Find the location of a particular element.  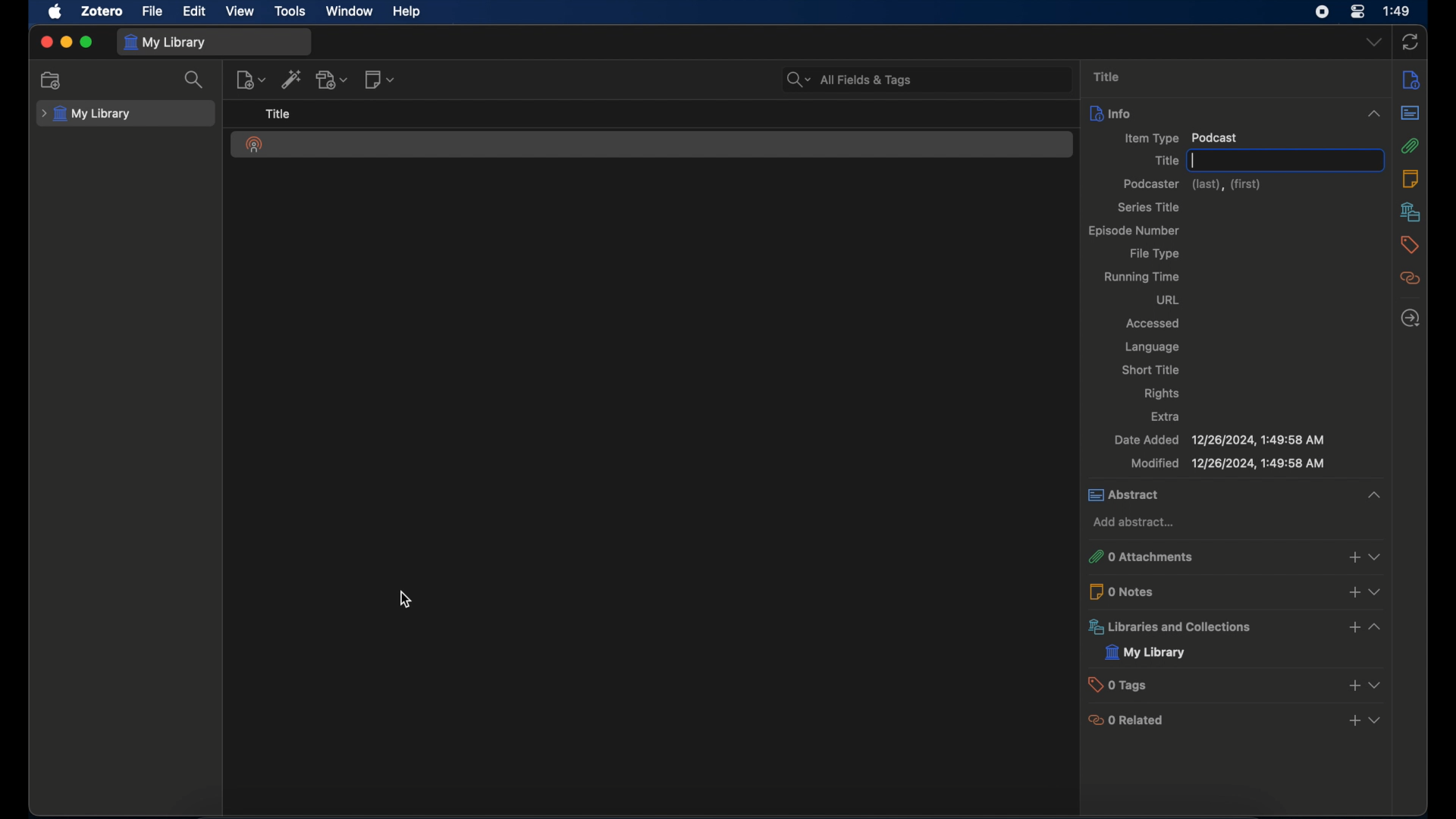

new collection is located at coordinates (54, 80).